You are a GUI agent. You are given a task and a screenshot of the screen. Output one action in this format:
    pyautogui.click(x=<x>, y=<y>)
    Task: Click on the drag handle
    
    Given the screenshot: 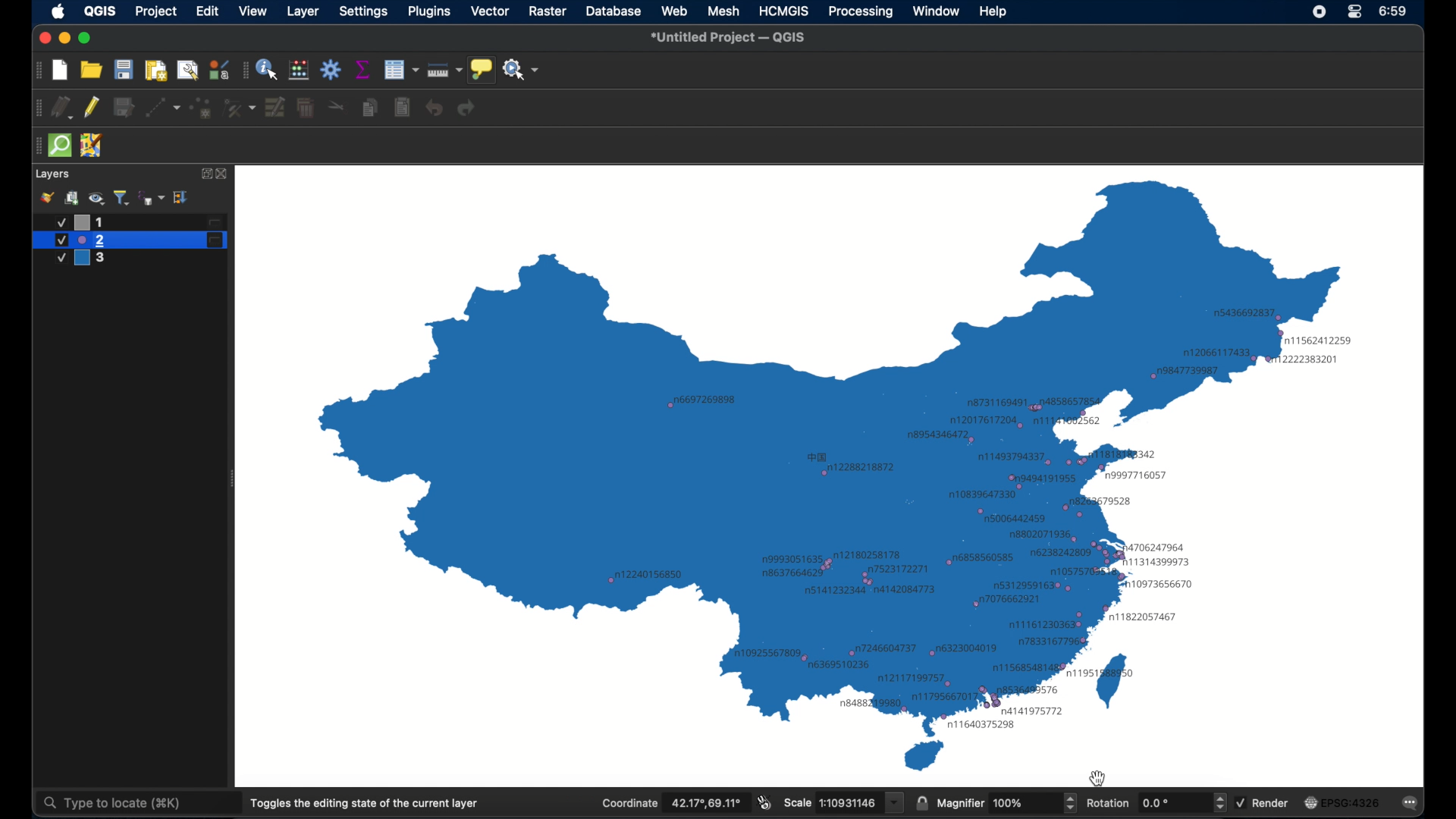 What is the action you would take?
    pyautogui.click(x=36, y=70)
    